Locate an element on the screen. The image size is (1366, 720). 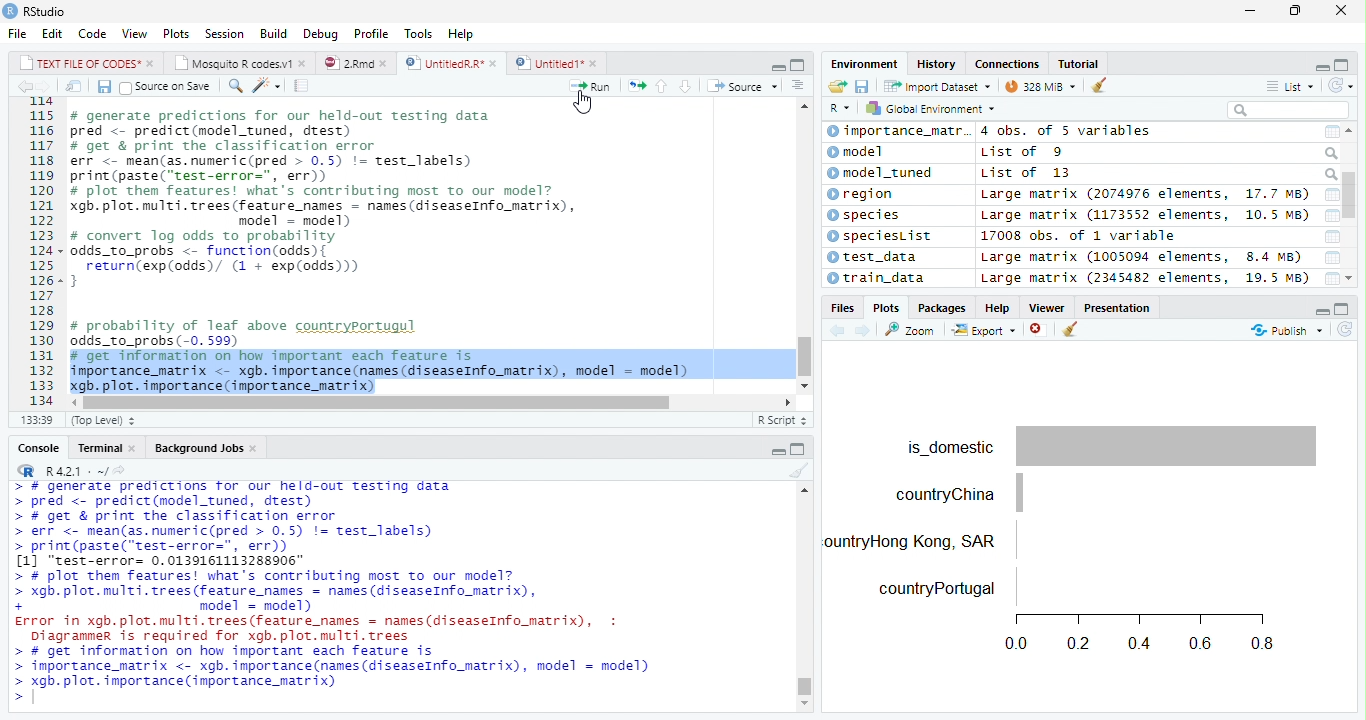
Help is located at coordinates (463, 36).